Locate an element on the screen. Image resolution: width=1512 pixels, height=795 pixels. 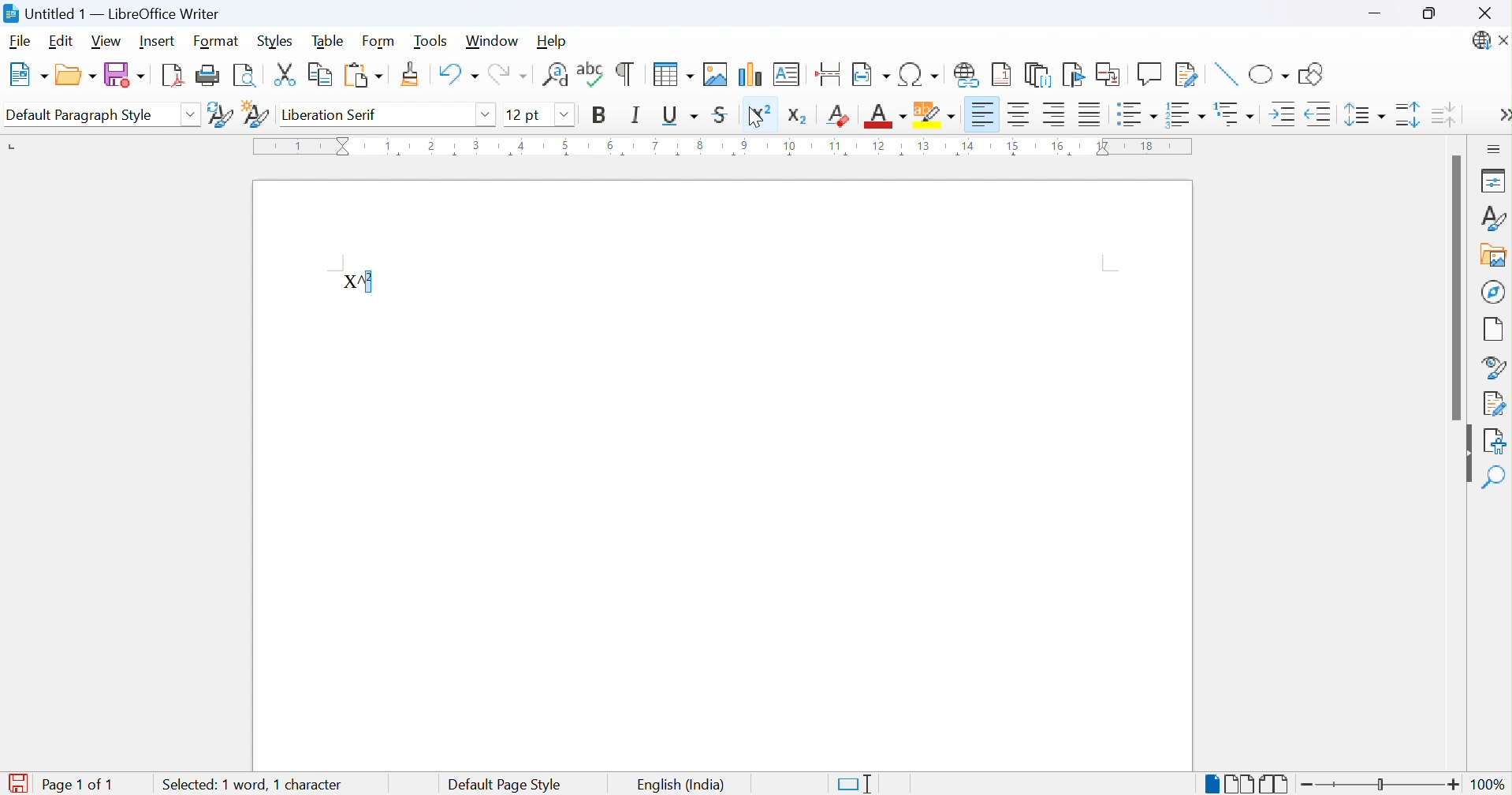
Superscript is located at coordinates (757, 114).